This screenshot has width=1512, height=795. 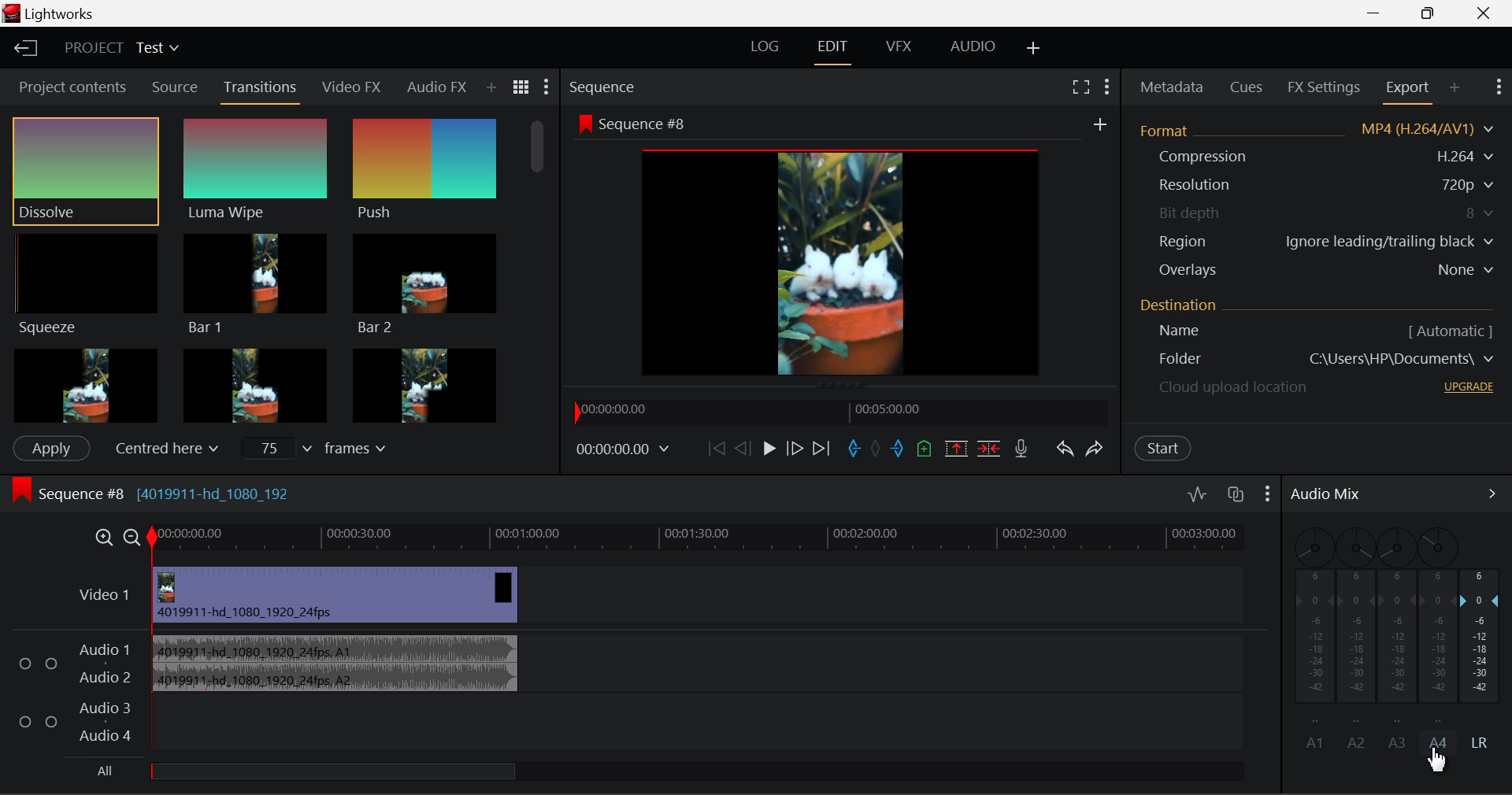 I want to click on Toggle audio levels editing, so click(x=1195, y=498).